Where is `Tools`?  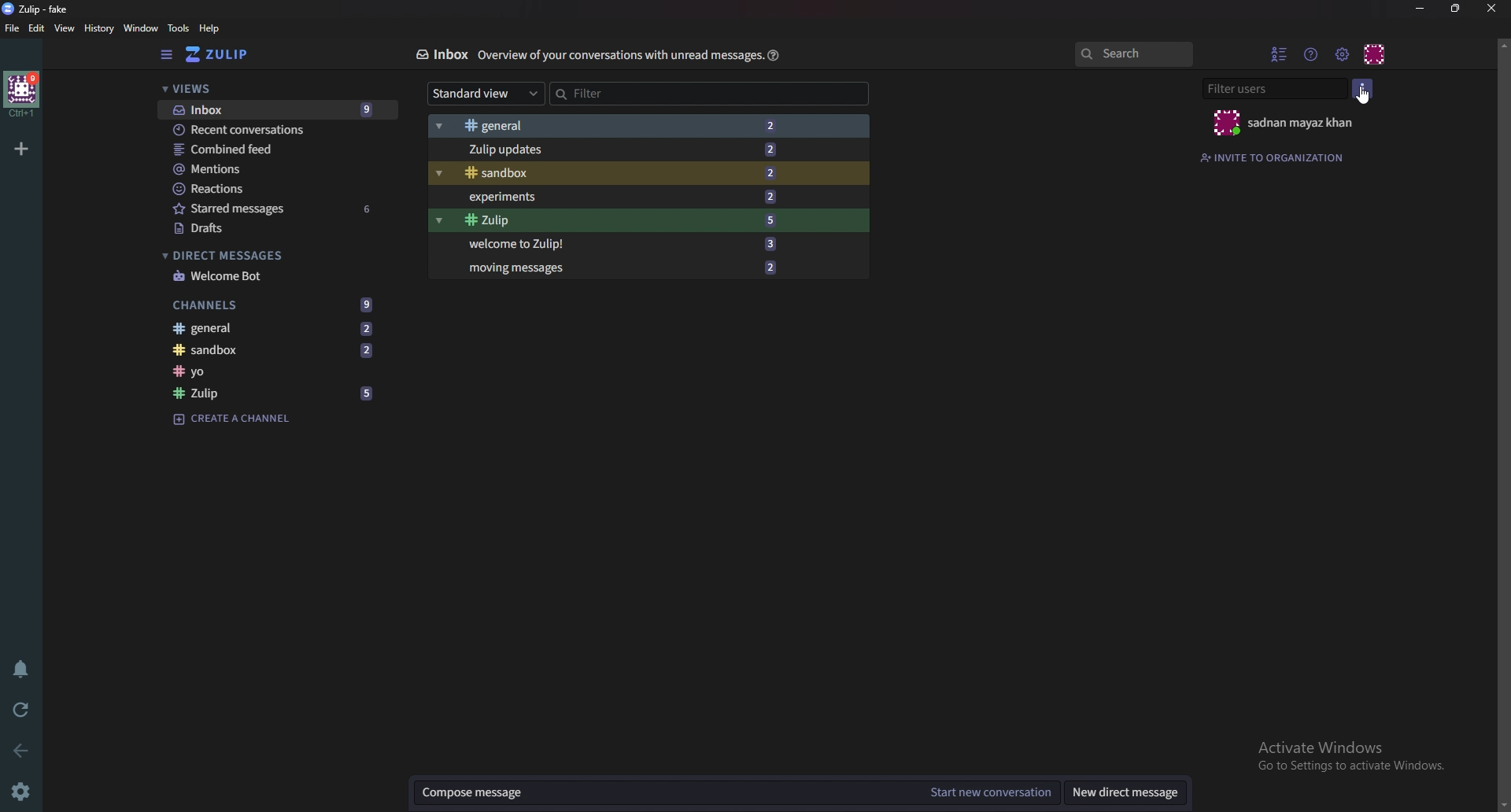
Tools is located at coordinates (178, 28).